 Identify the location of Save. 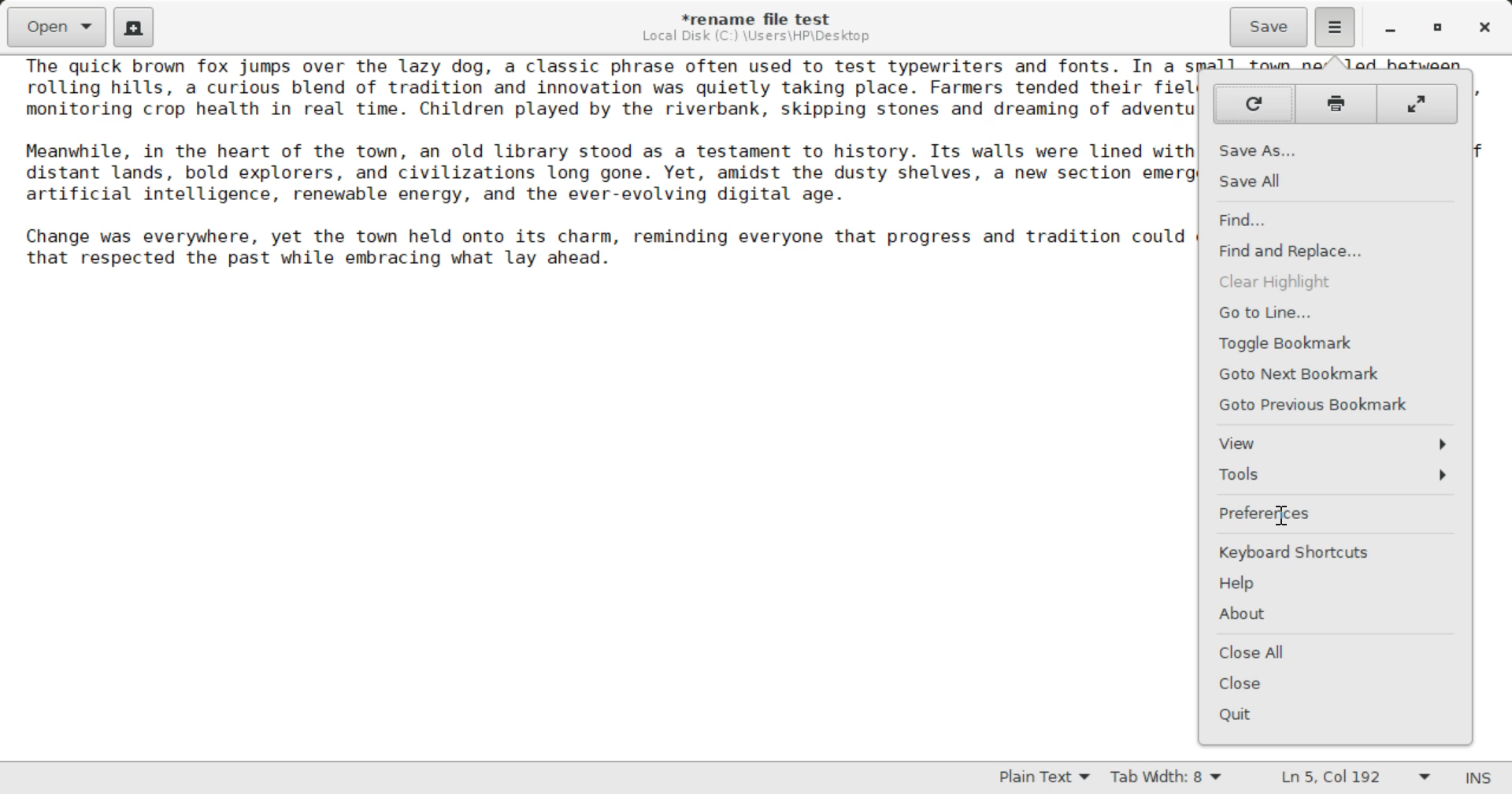
(1270, 28).